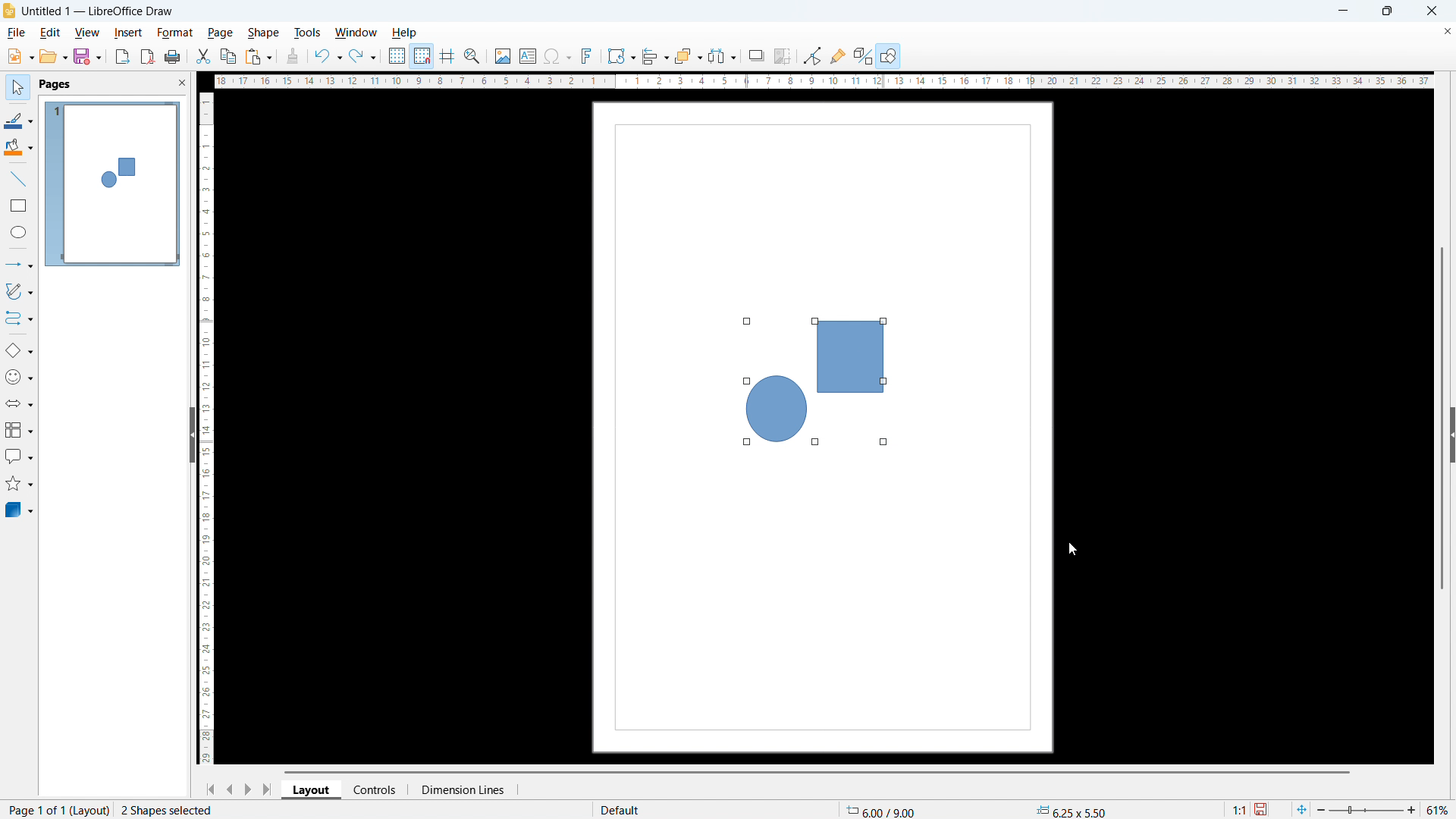 The image size is (1456, 819). What do you see at coordinates (1451, 435) in the screenshot?
I see `expand sidebar` at bounding box center [1451, 435].